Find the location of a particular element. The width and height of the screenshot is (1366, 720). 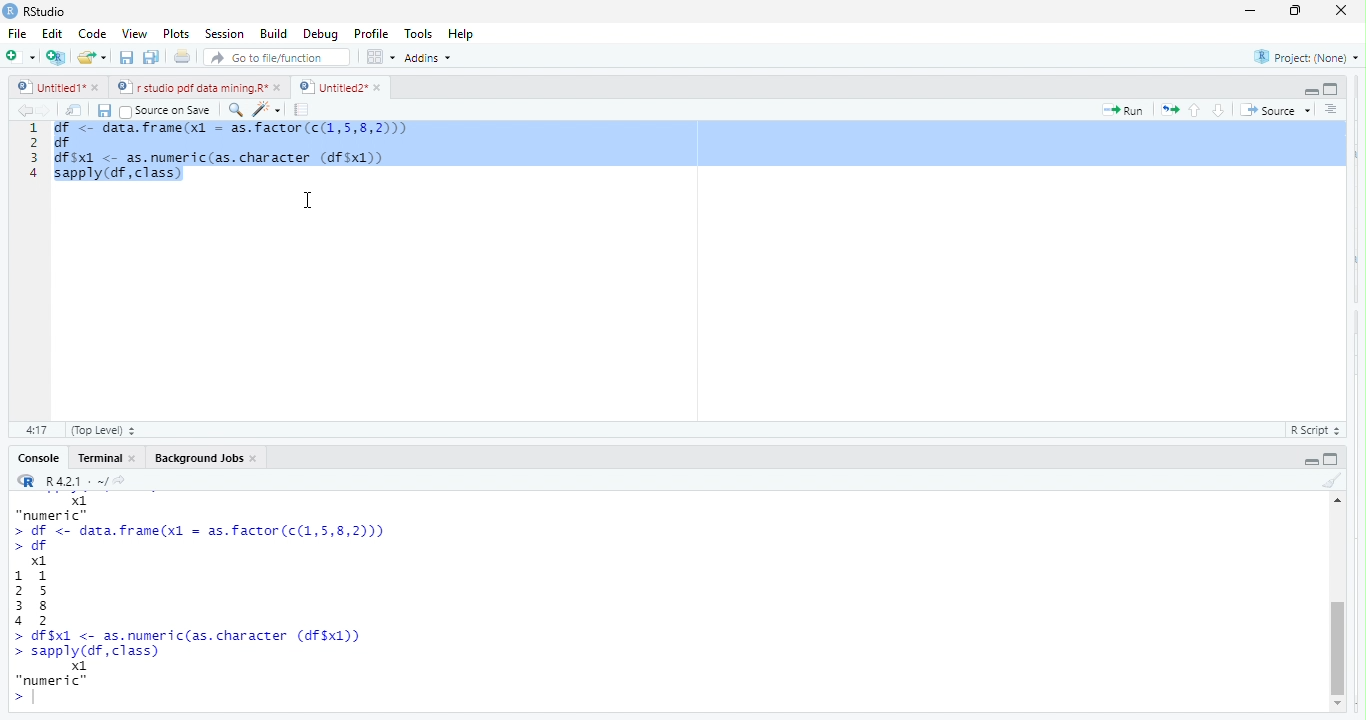

file is located at coordinates (20, 34).